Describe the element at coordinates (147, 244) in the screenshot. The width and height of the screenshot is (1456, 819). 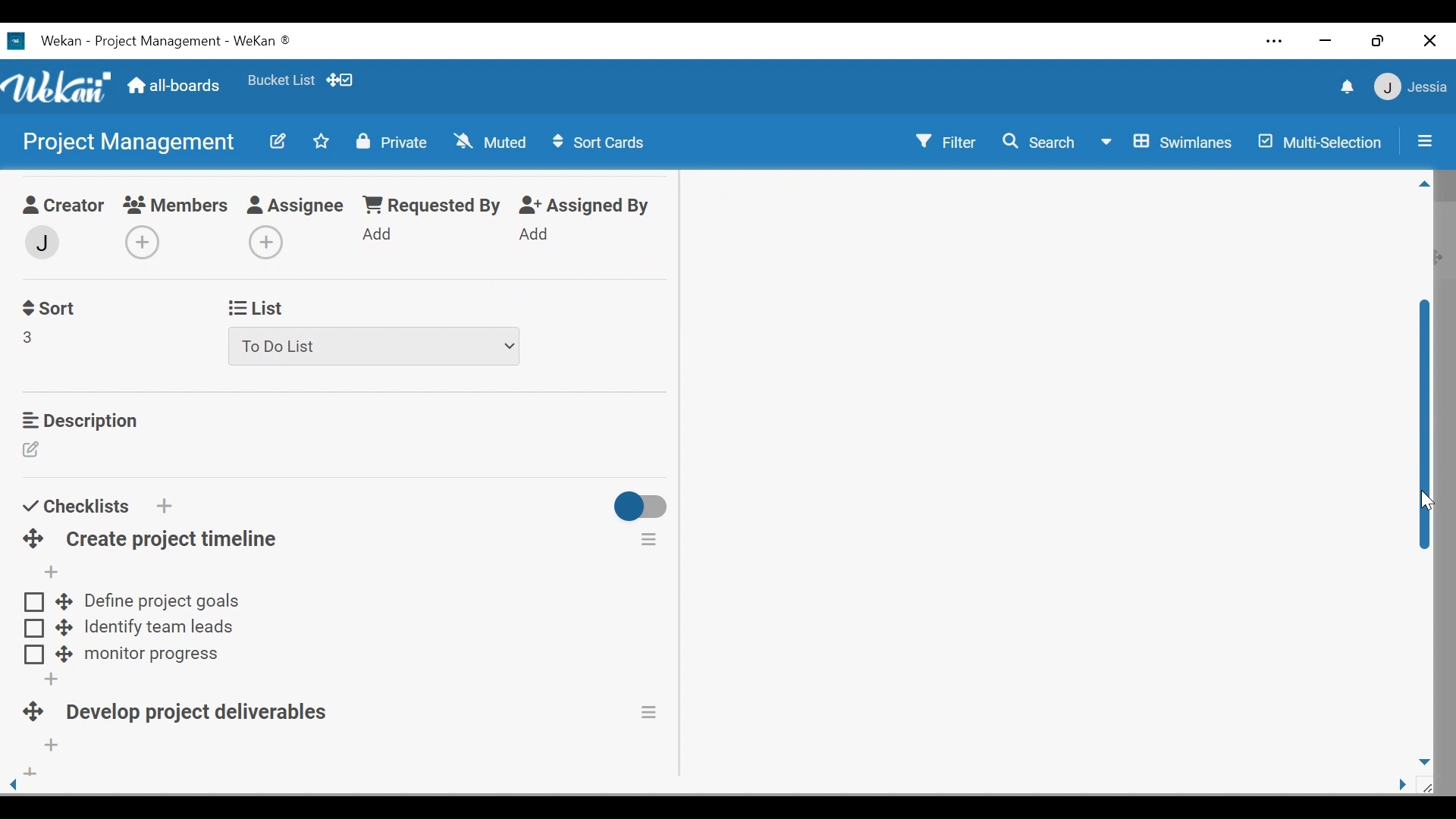
I see `Add members` at that location.